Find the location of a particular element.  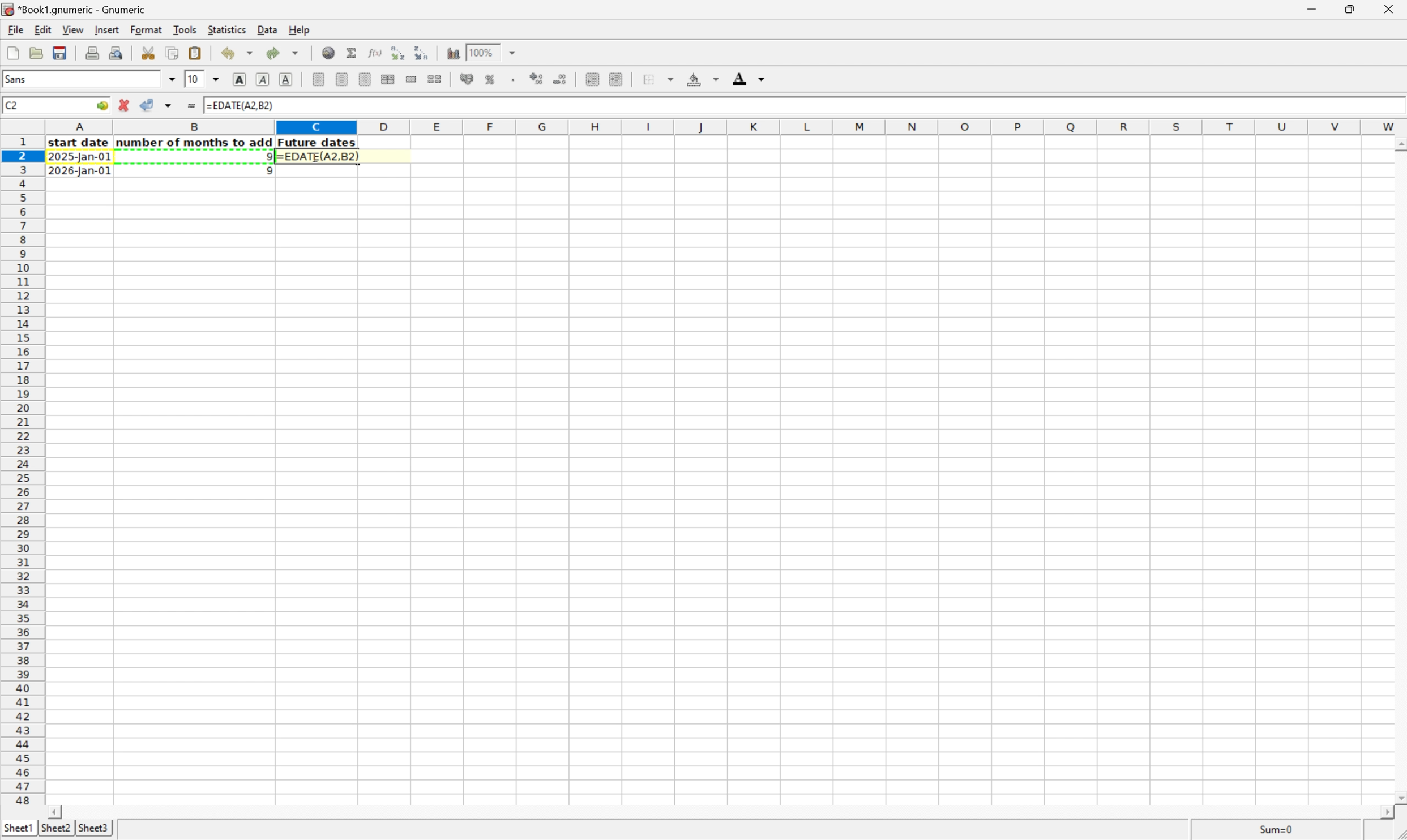

Accept changes across selection is located at coordinates (172, 104).